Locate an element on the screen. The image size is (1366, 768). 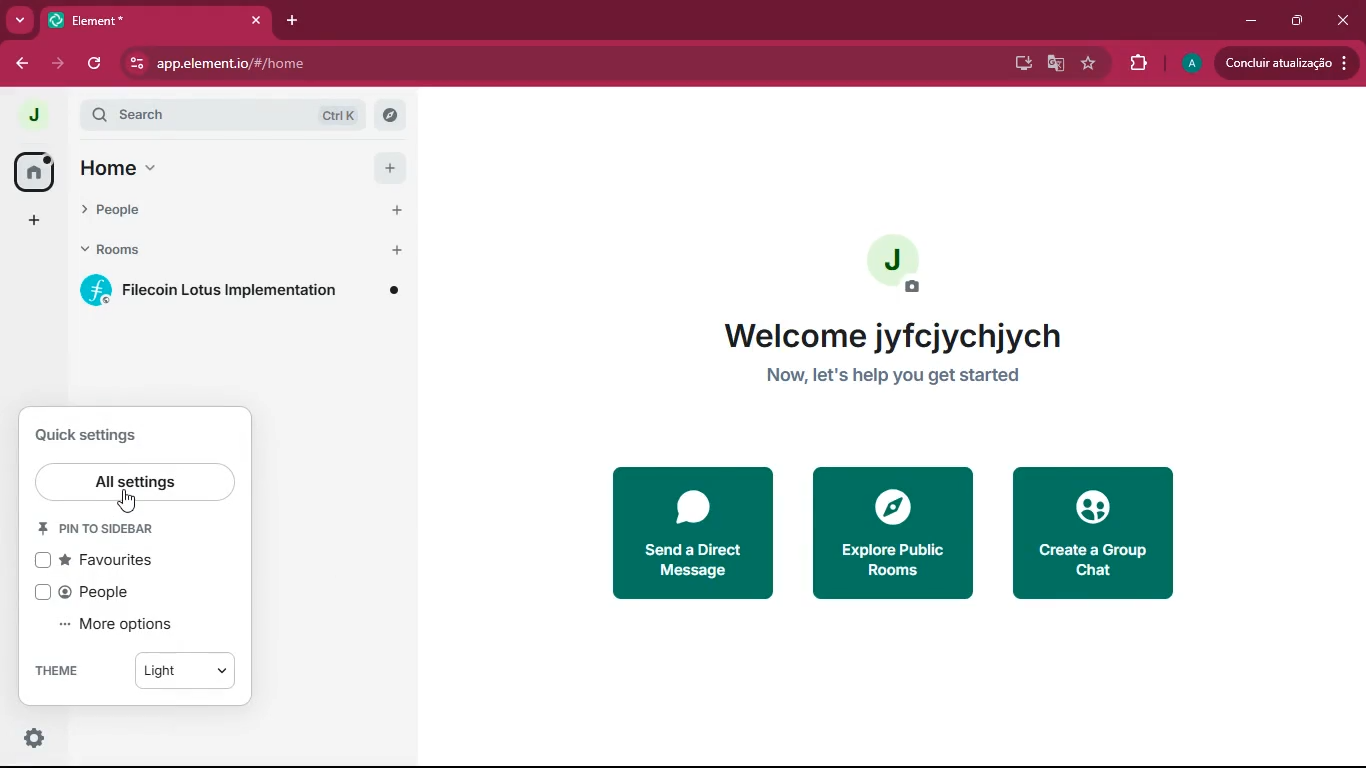
search is located at coordinates (235, 114).